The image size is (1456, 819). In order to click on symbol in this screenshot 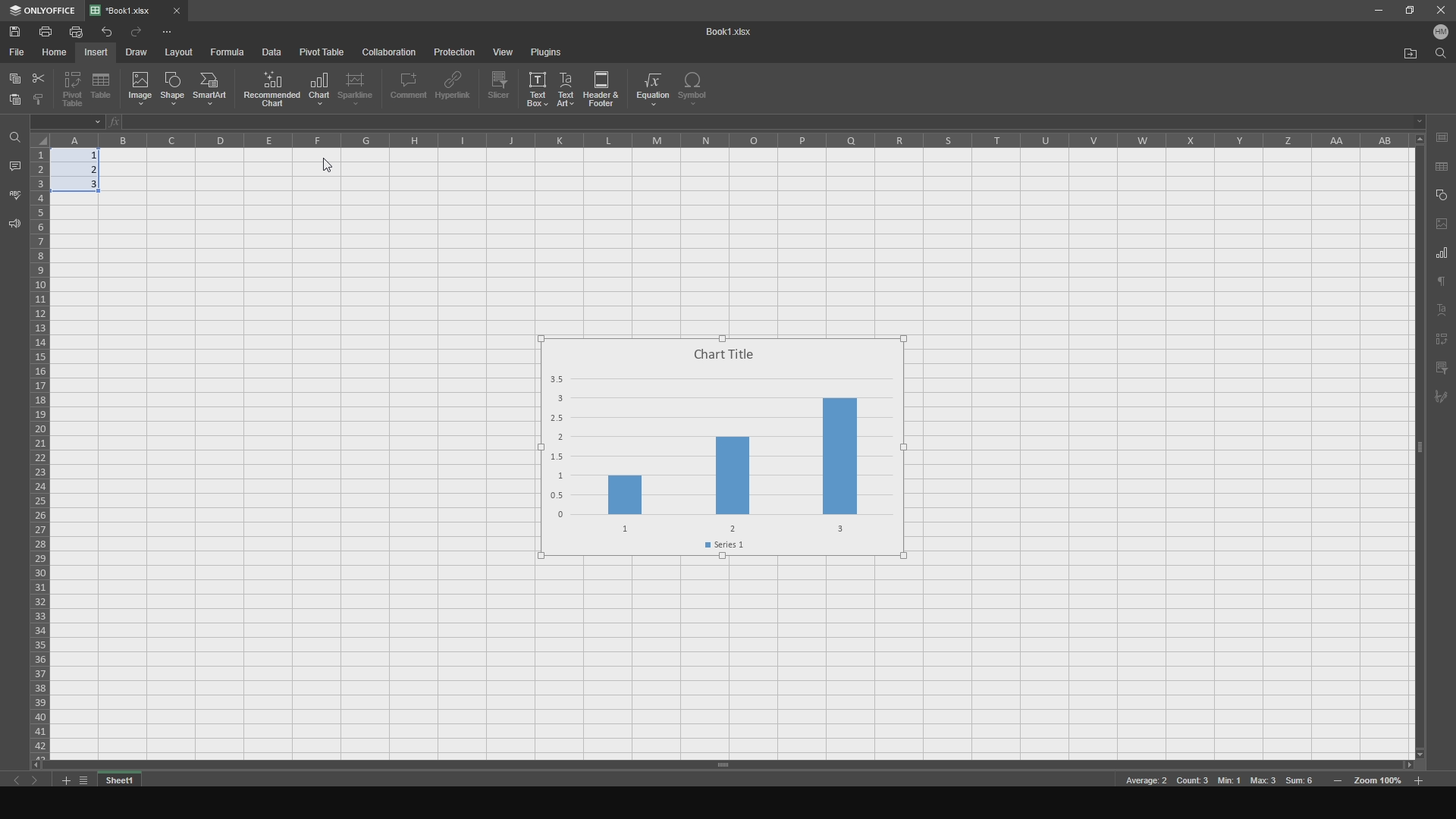, I will do `click(696, 88)`.